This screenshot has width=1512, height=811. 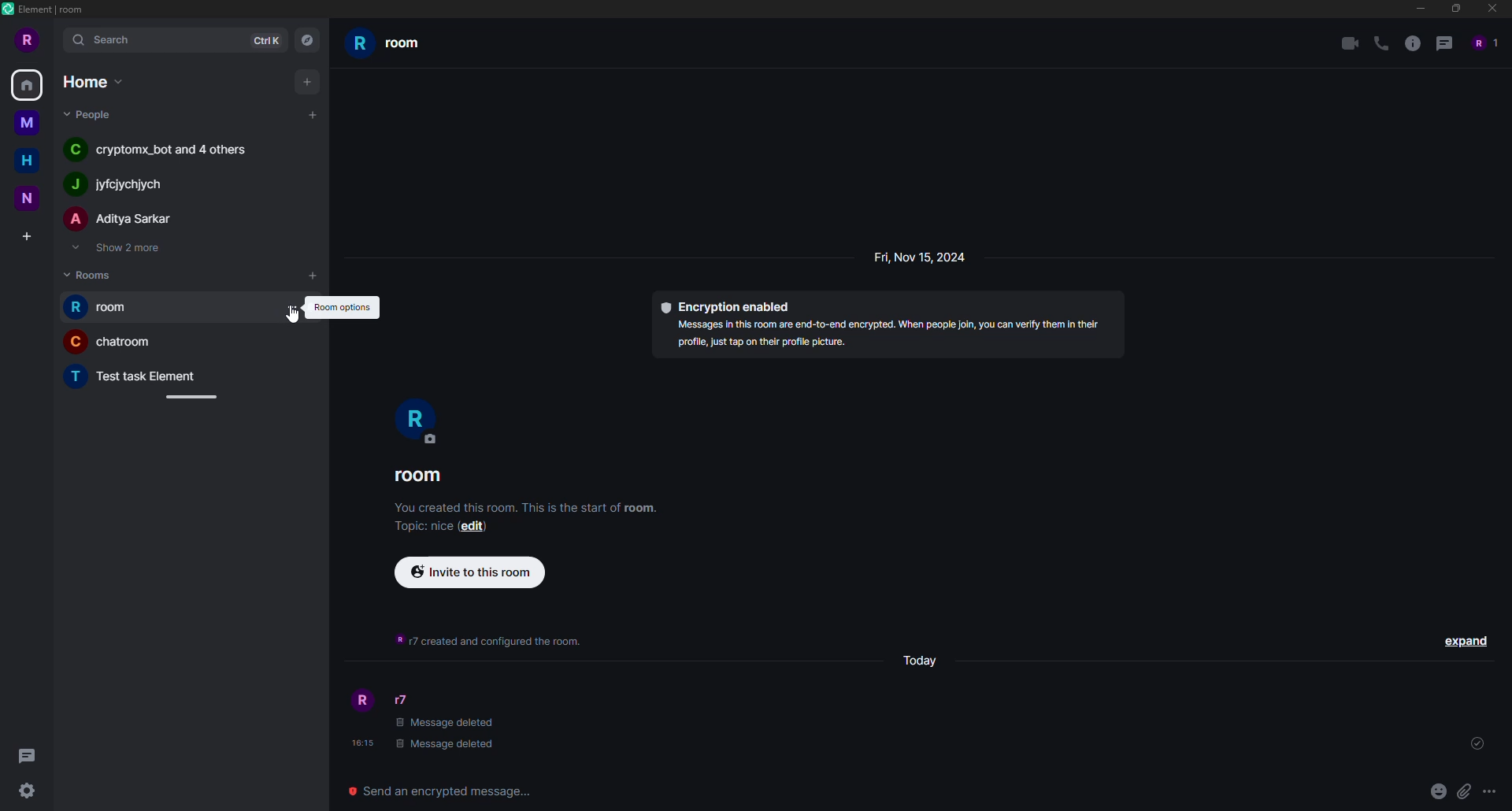 What do you see at coordinates (475, 529) in the screenshot?
I see `edit` at bounding box center [475, 529].